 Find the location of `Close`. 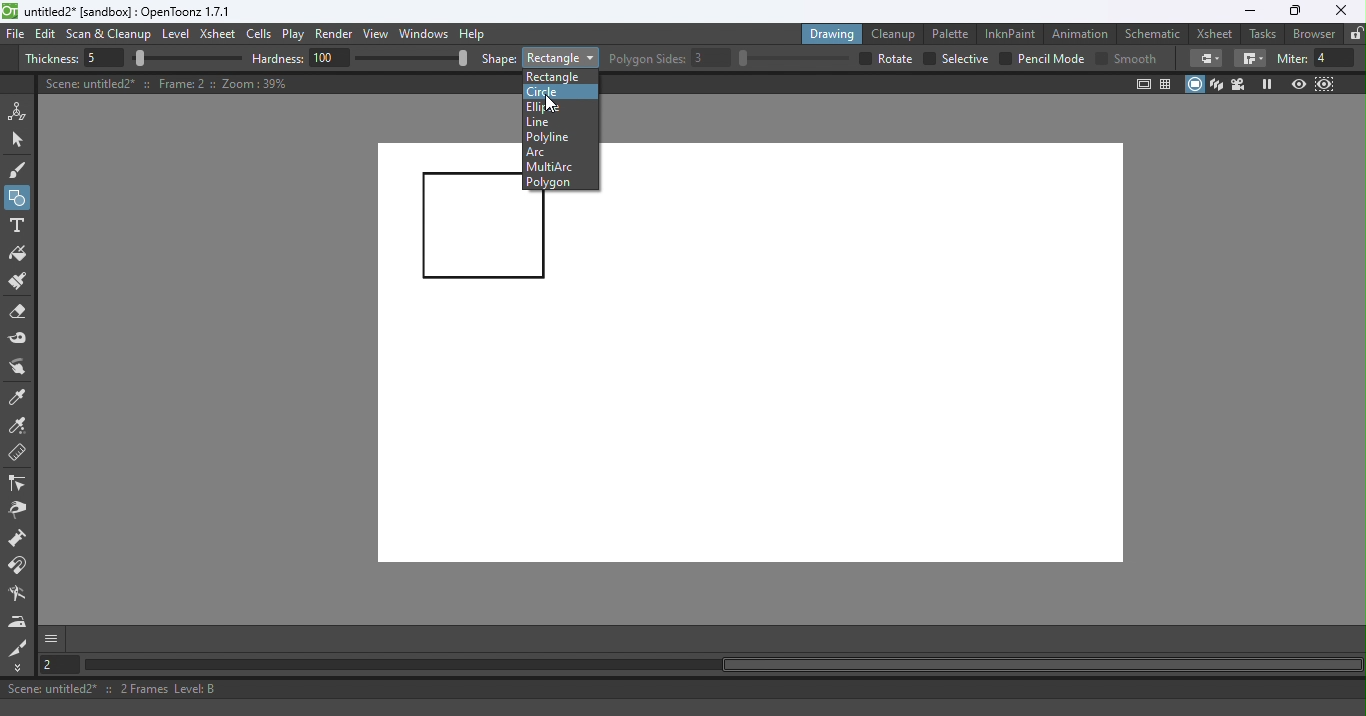

Close is located at coordinates (1340, 11).